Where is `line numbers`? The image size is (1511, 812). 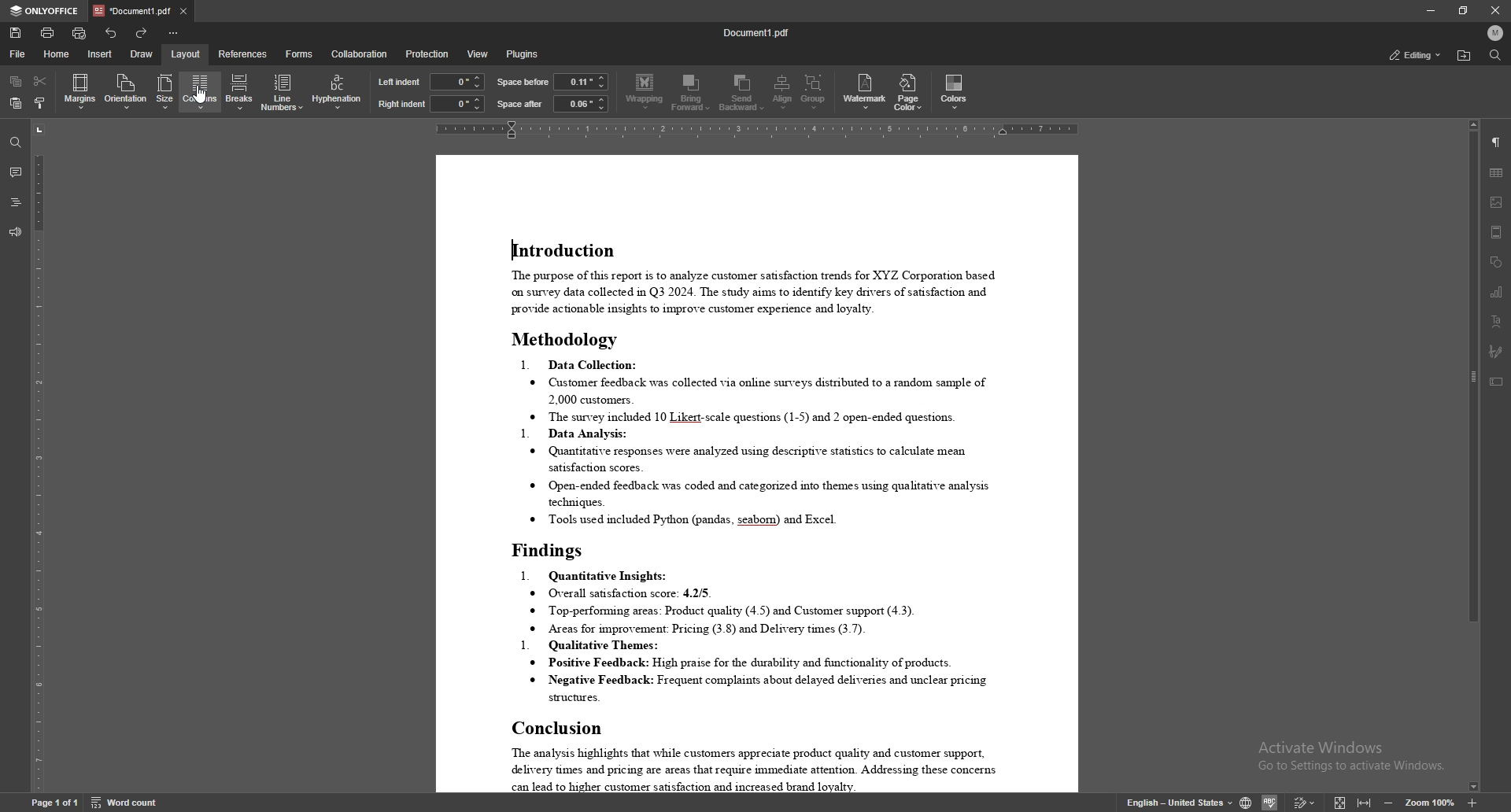 line numbers is located at coordinates (283, 92).